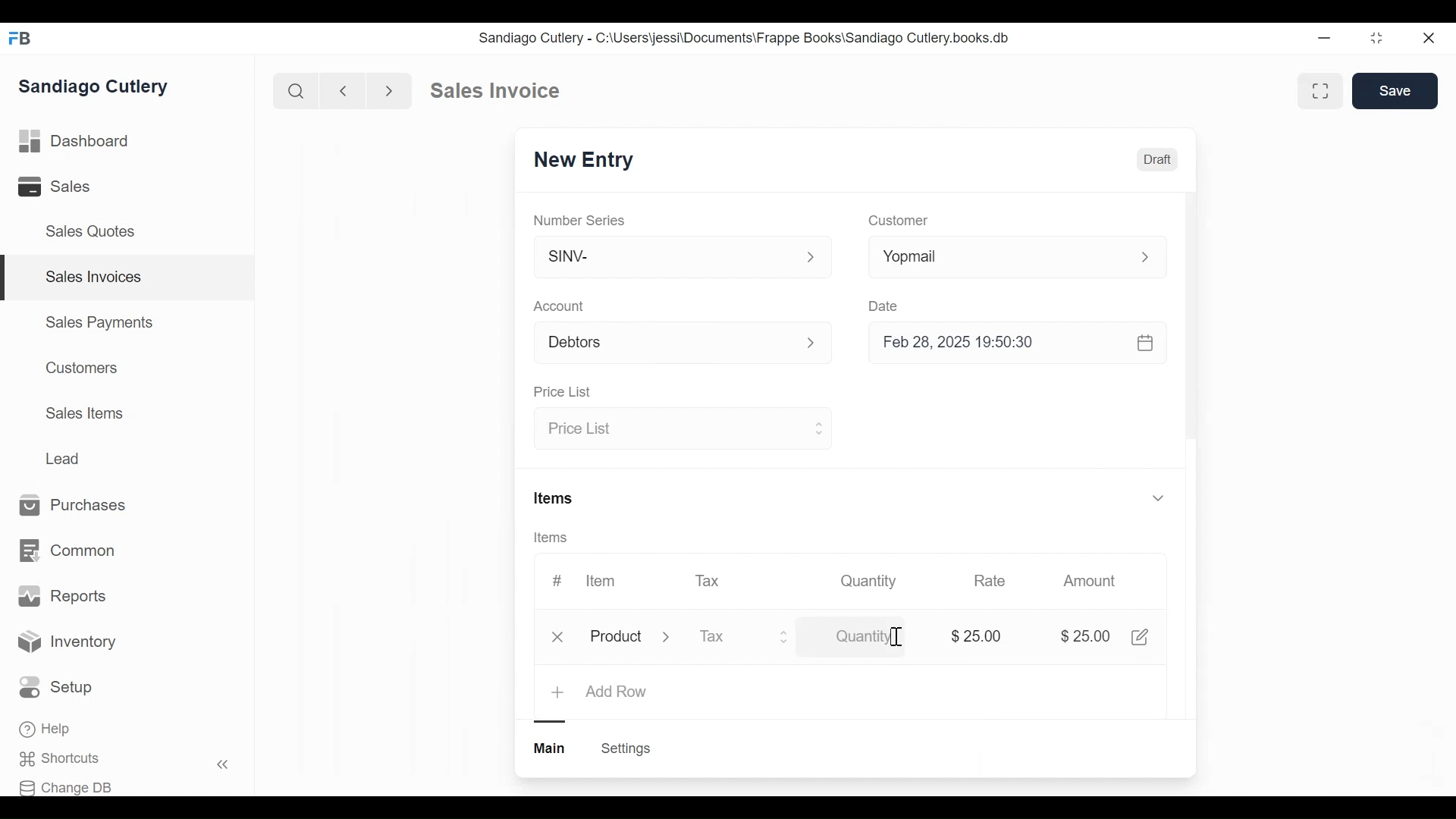 Image resolution: width=1456 pixels, height=819 pixels. I want to click on Lead, so click(64, 457).